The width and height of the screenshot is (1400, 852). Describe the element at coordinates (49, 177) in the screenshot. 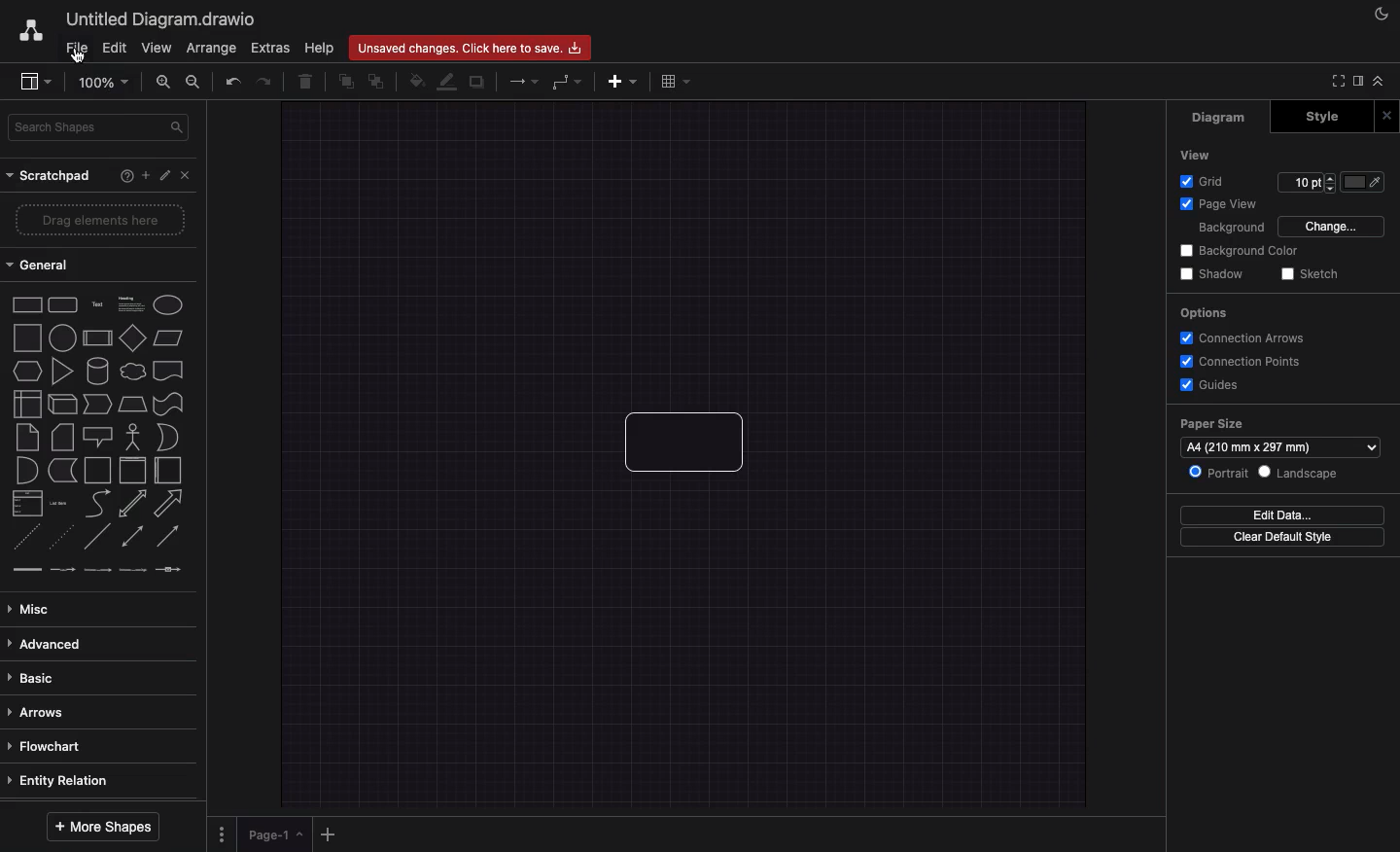

I see `Scratchpad` at that location.